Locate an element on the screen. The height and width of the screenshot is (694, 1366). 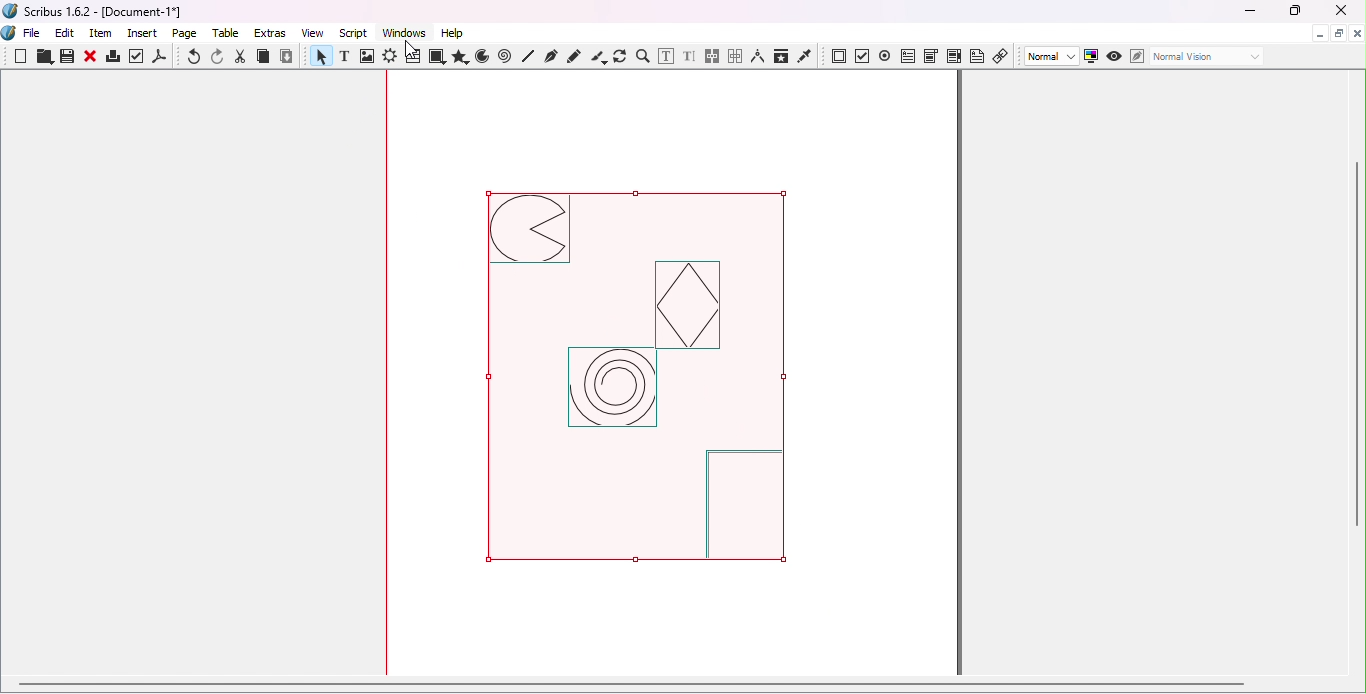
PDF text field is located at coordinates (907, 54).